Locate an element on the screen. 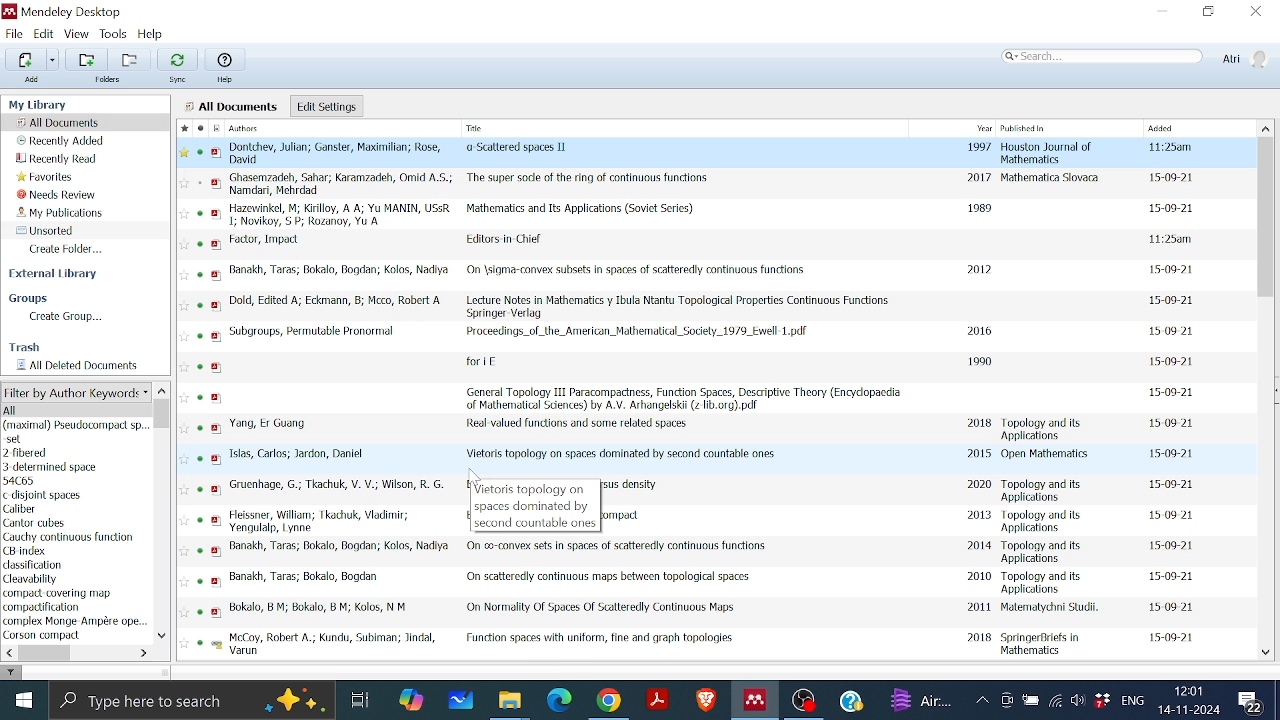 The image size is (1280, 720). View is located at coordinates (77, 34).